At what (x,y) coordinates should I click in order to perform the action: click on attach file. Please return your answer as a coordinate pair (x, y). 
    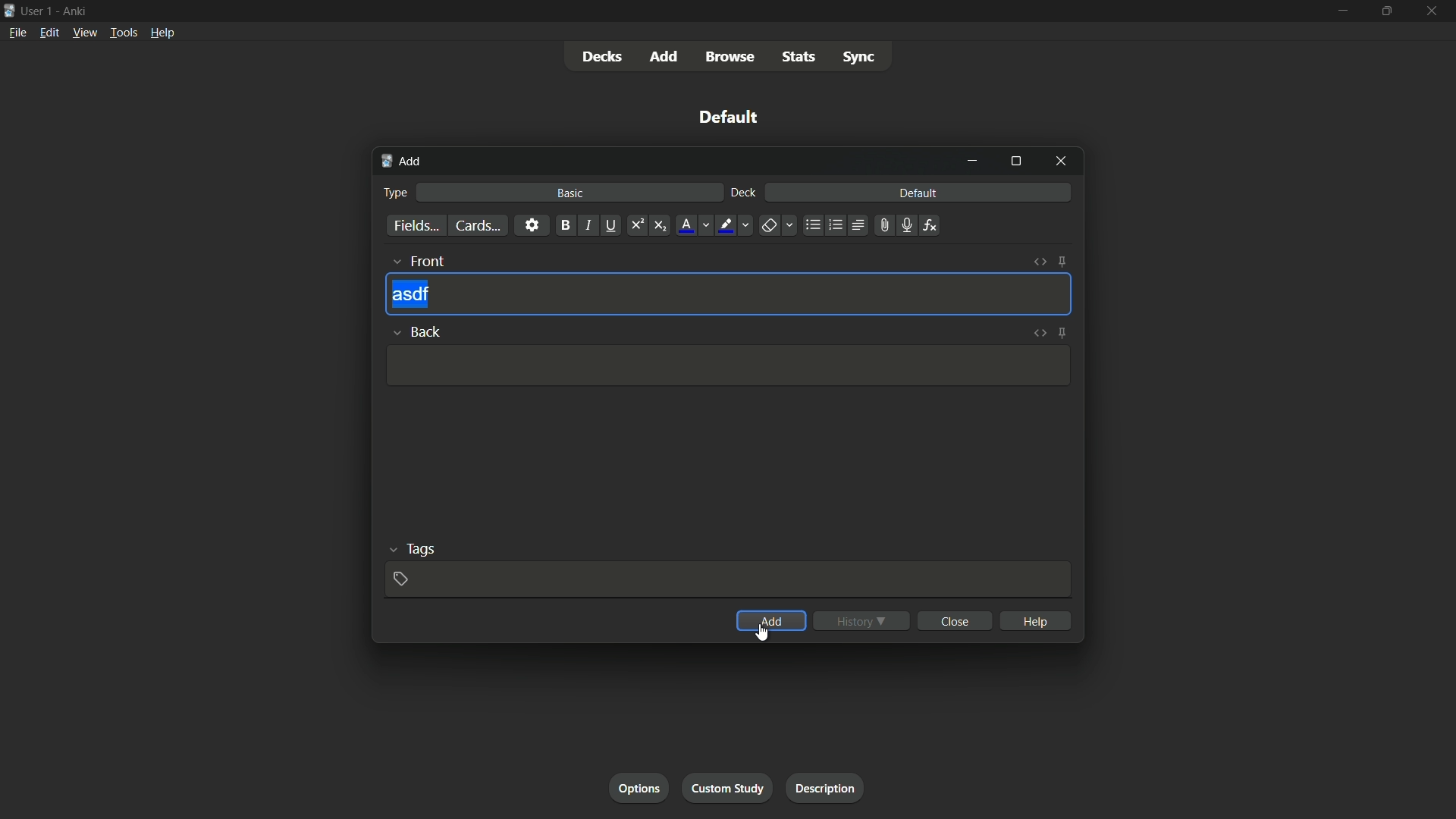
    Looking at the image, I should click on (885, 225).